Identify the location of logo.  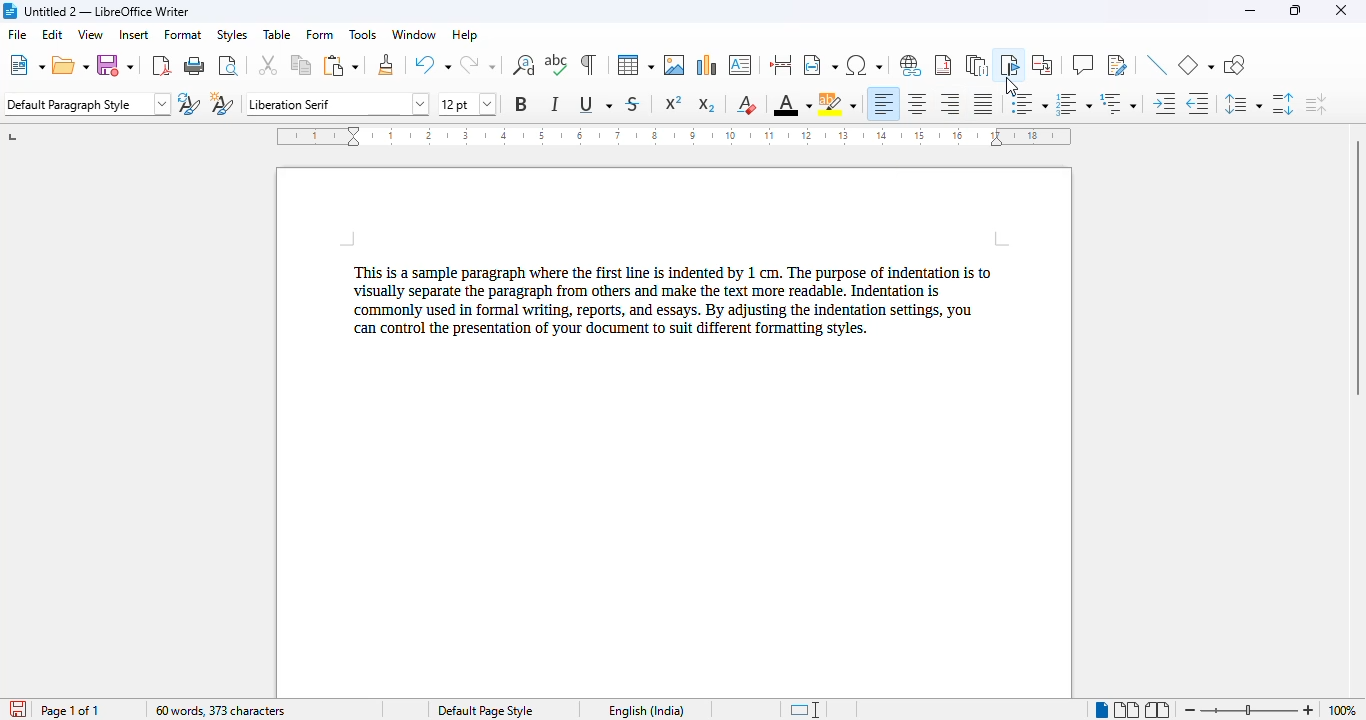
(9, 11).